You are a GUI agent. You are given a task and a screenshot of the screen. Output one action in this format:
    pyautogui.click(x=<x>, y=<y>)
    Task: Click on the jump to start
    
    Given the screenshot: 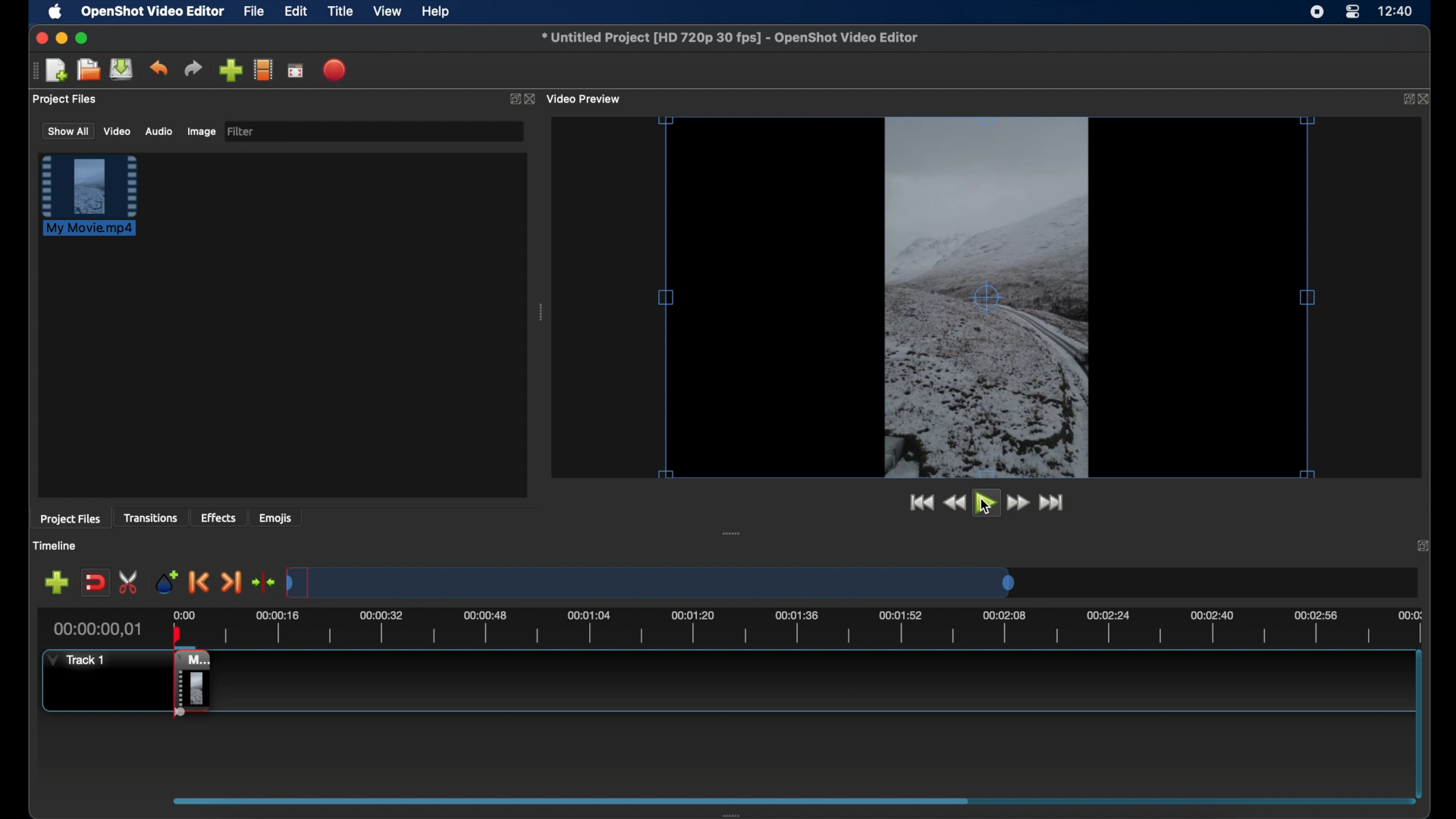 What is the action you would take?
    pyautogui.click(x=1053, y=502)
    